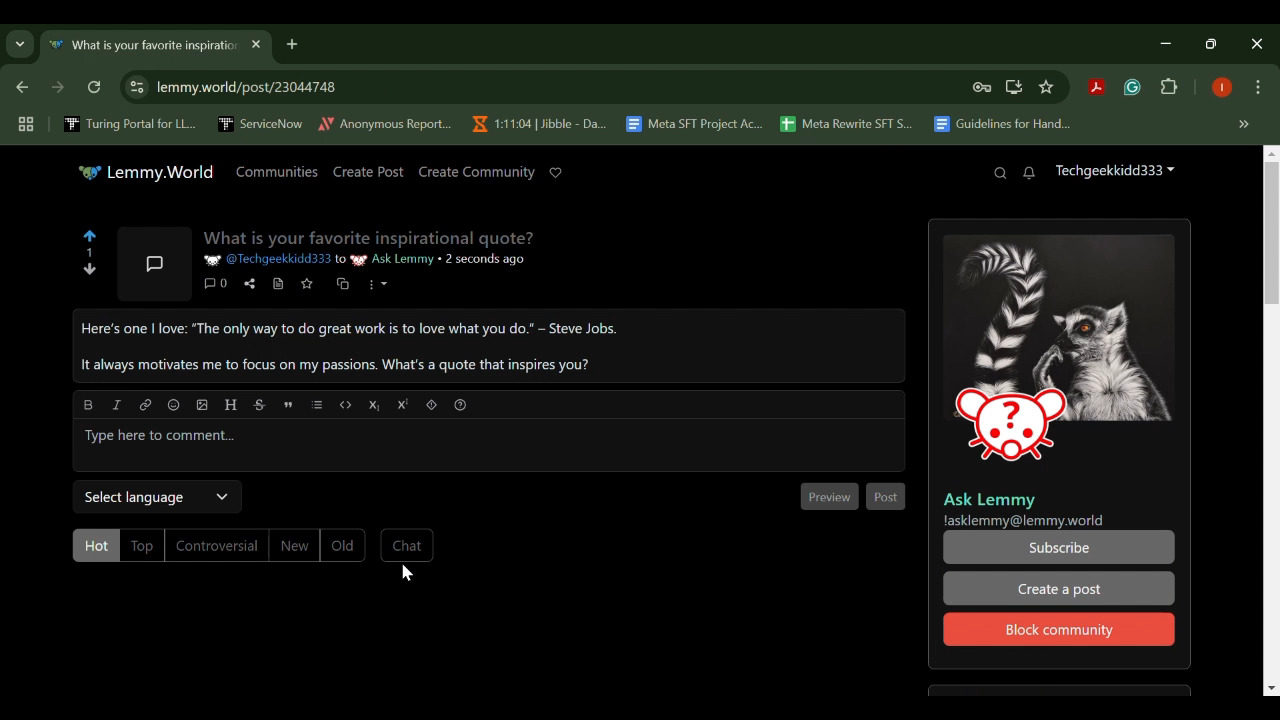  Describe the element at coordinates (1170, 43) in the screenshot. I see `Restore Down` at that location.